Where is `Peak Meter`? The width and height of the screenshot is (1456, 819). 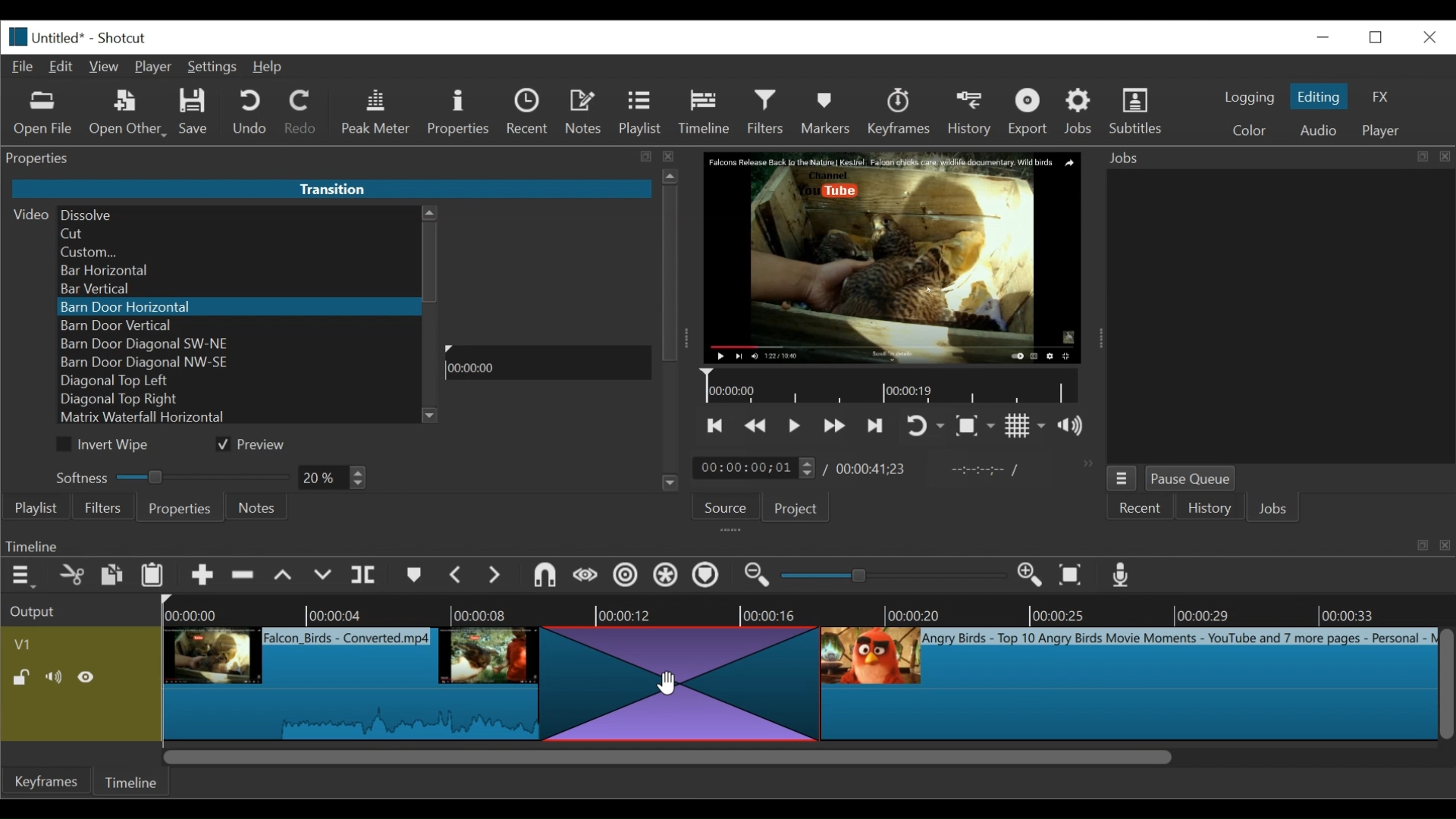 Peak Meter is located at coordinates (377, 114).